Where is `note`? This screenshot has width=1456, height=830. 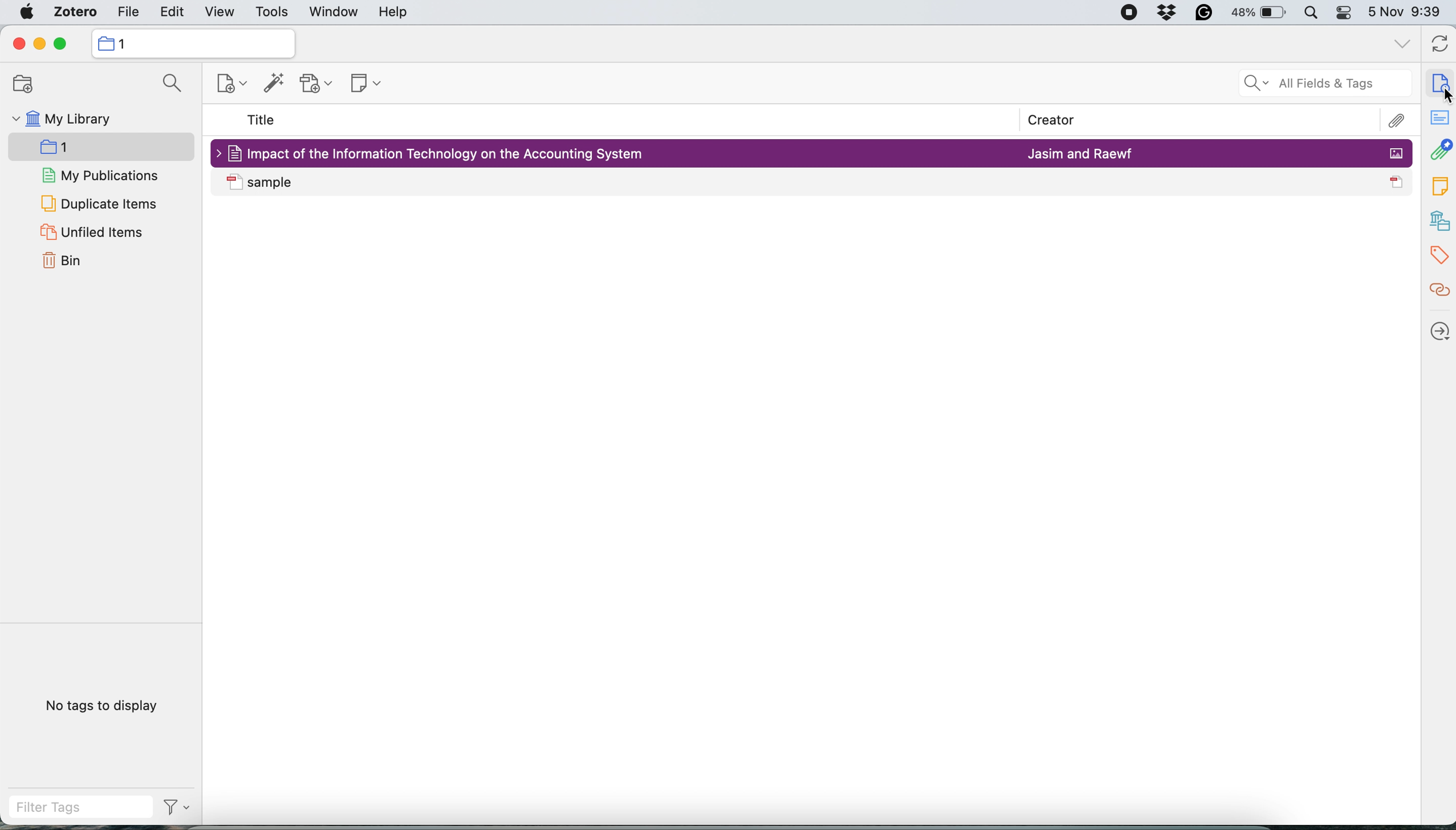
note is located at coordinates (1439, 186).